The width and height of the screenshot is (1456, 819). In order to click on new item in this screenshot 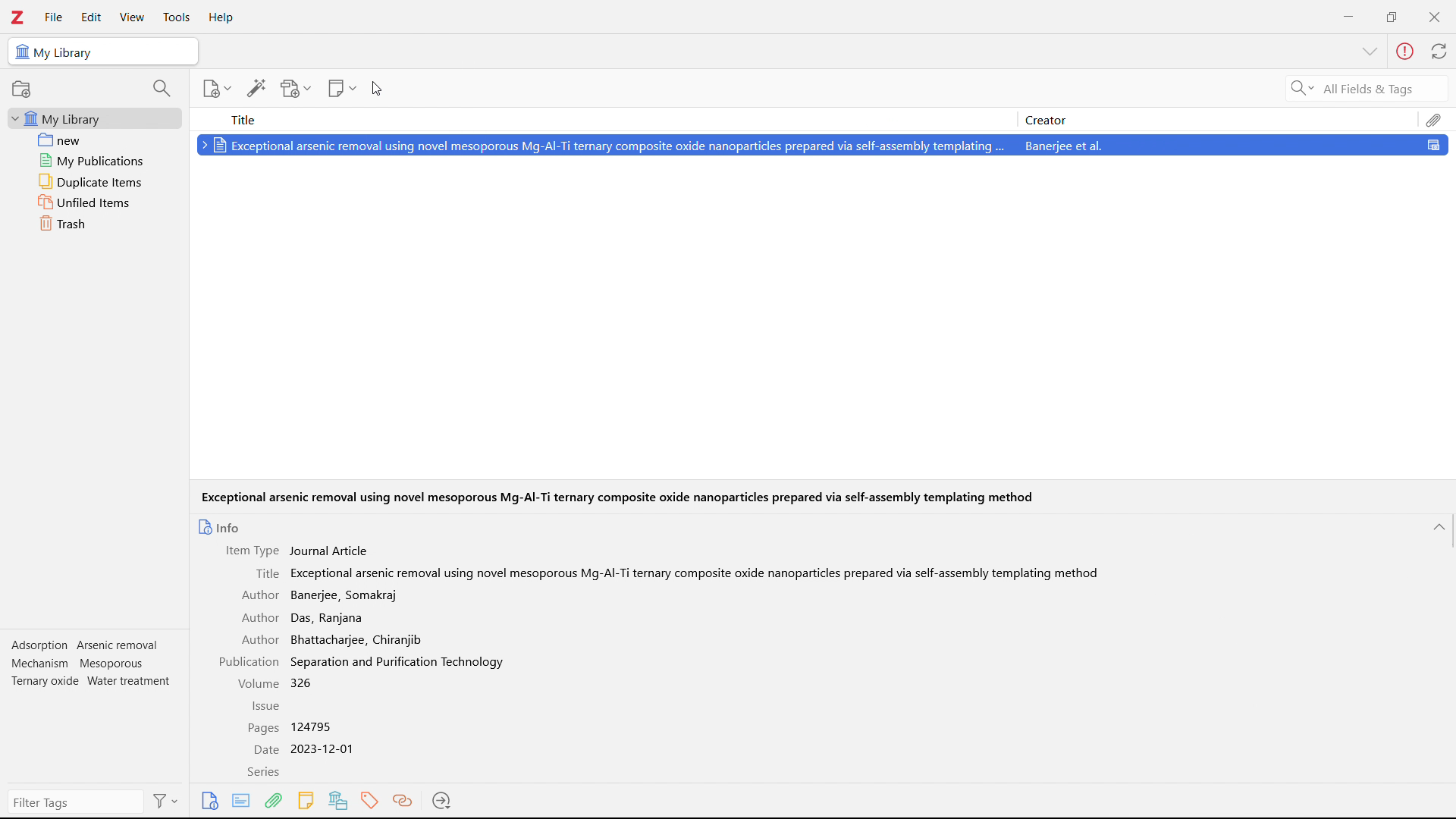, I will do `click(215, 88)`.